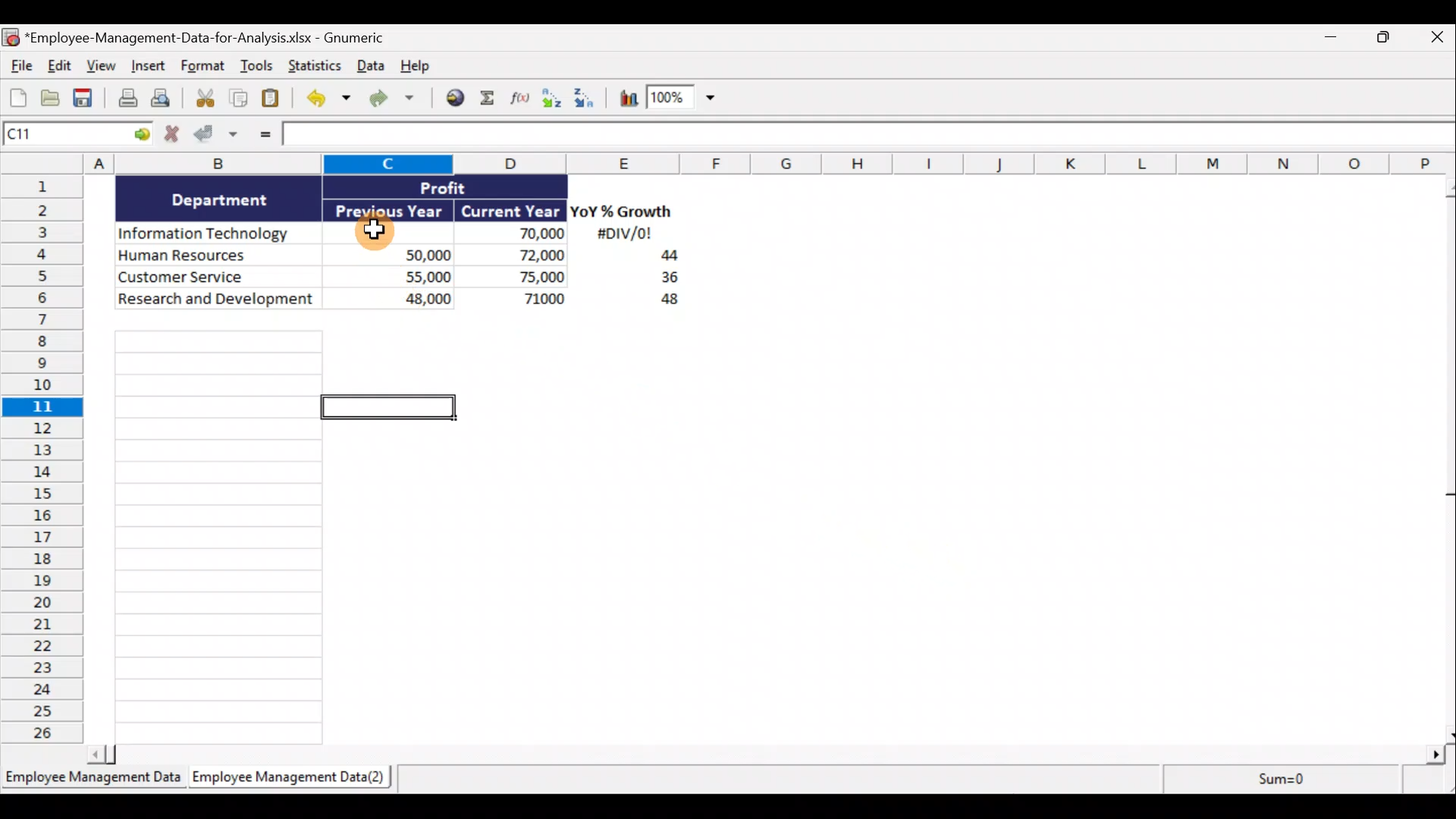 This screenshot has height=819, width=1456. What do you see at coordinates (217, 300) in the screenshot?
I see `Research and development` at bounding box center [217, 300].